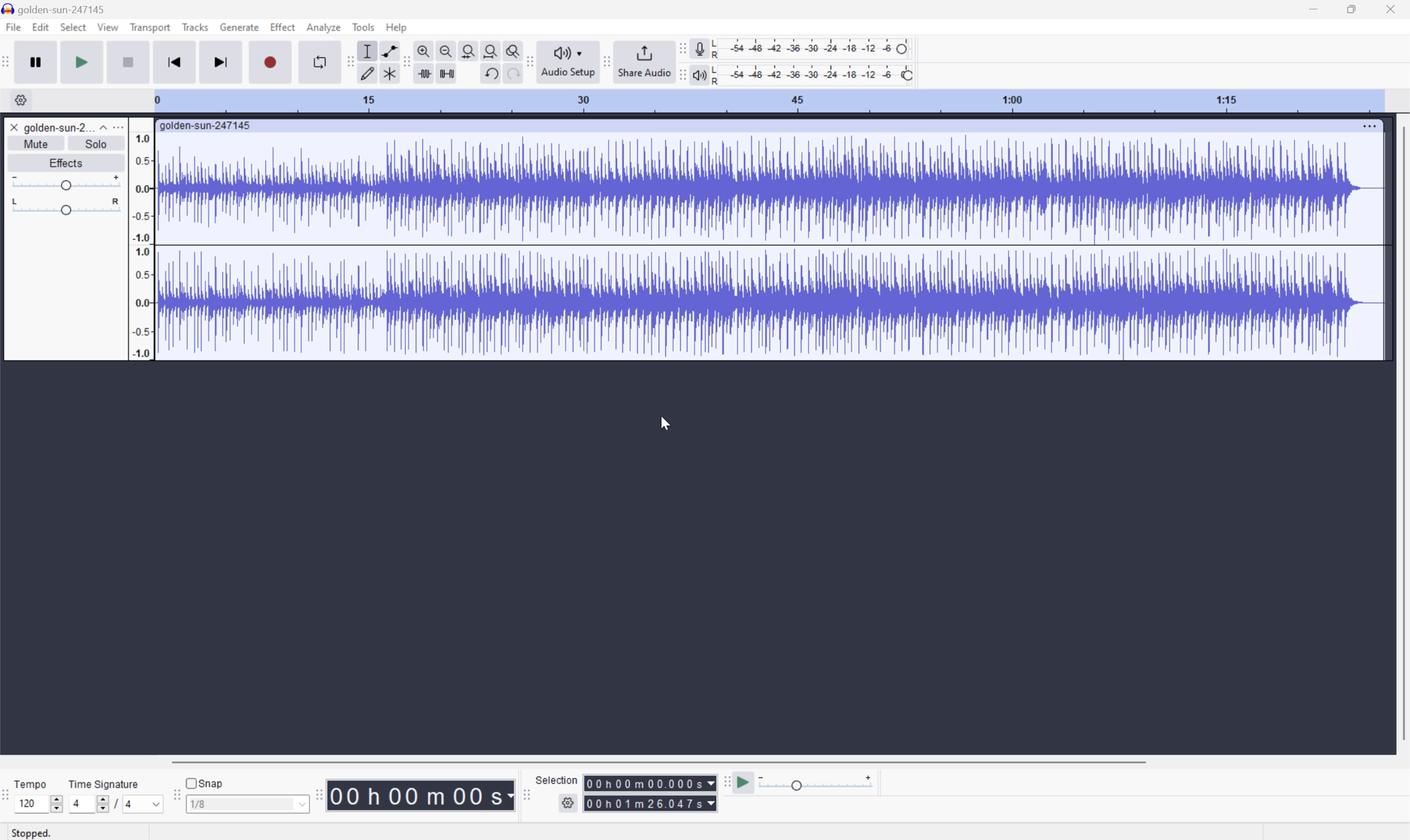 The width and height of the screenshot is (1410, 840). Describe the element at coordinates (426, 73) in the screenshot. I see `Trim audio outside selection` at that location.